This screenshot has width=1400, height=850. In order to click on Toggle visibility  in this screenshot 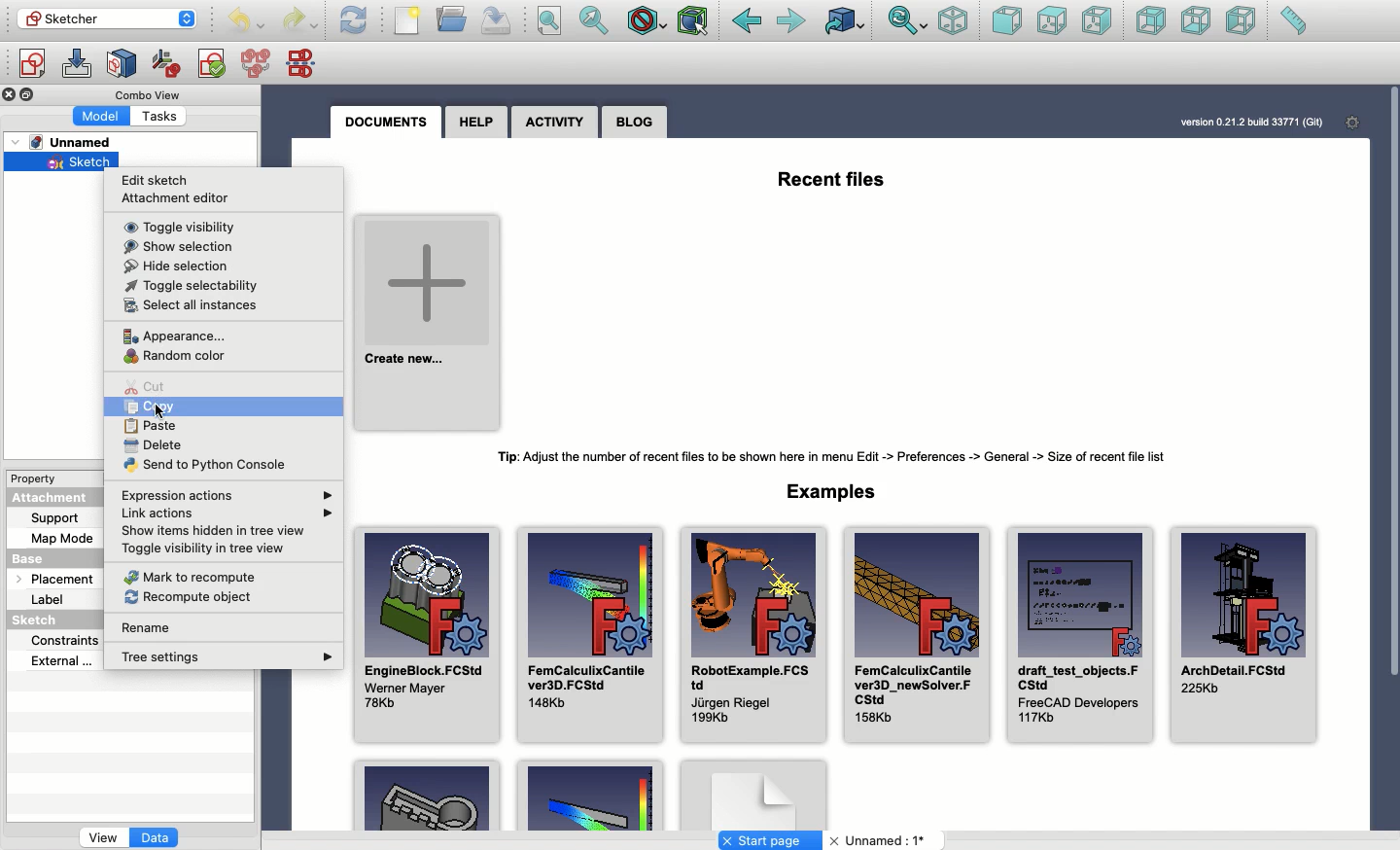, I will do `click(182, 228)`.